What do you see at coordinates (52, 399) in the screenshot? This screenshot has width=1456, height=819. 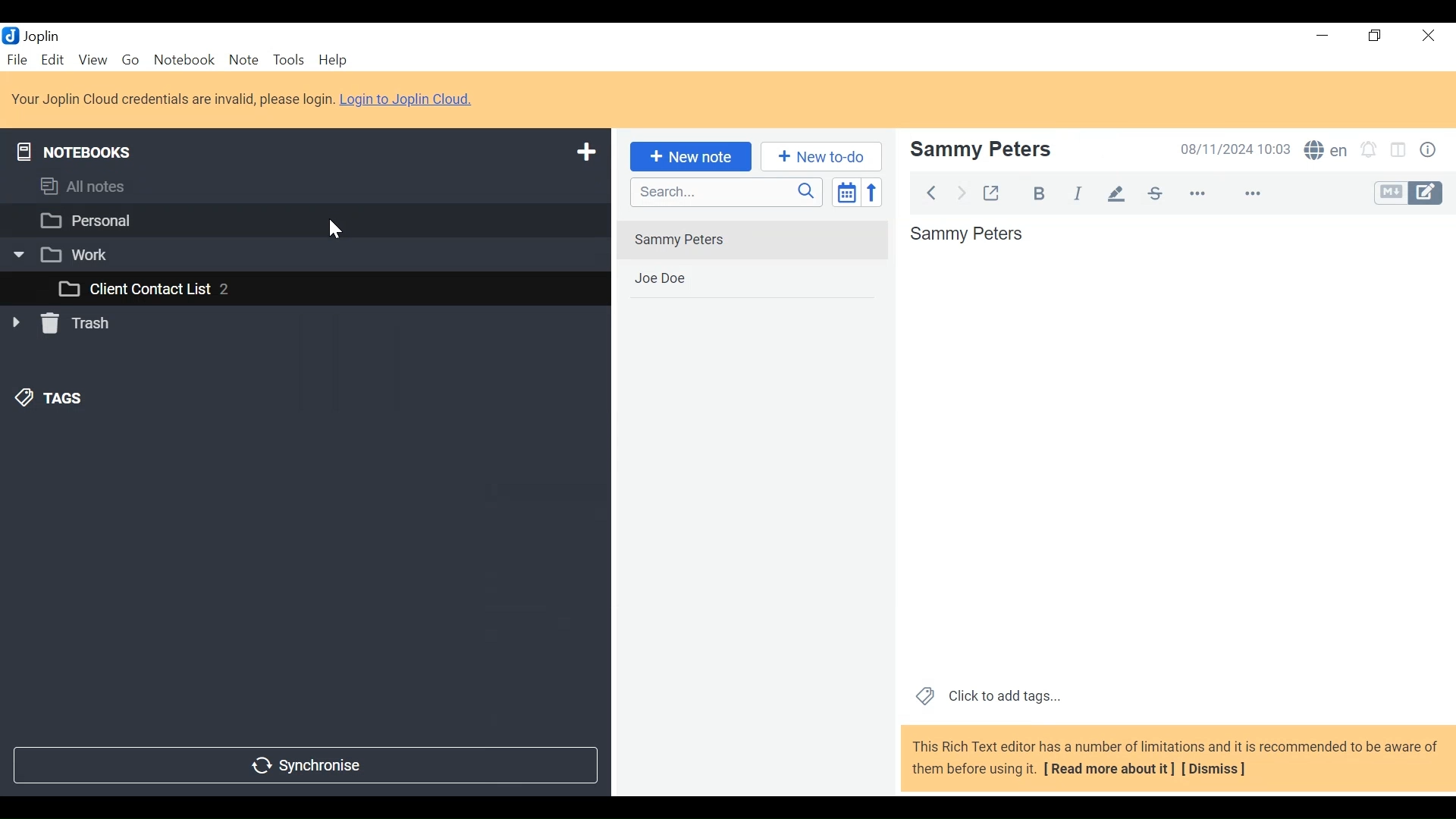 I see `Q Tacs` at bounding box center [52, 399].